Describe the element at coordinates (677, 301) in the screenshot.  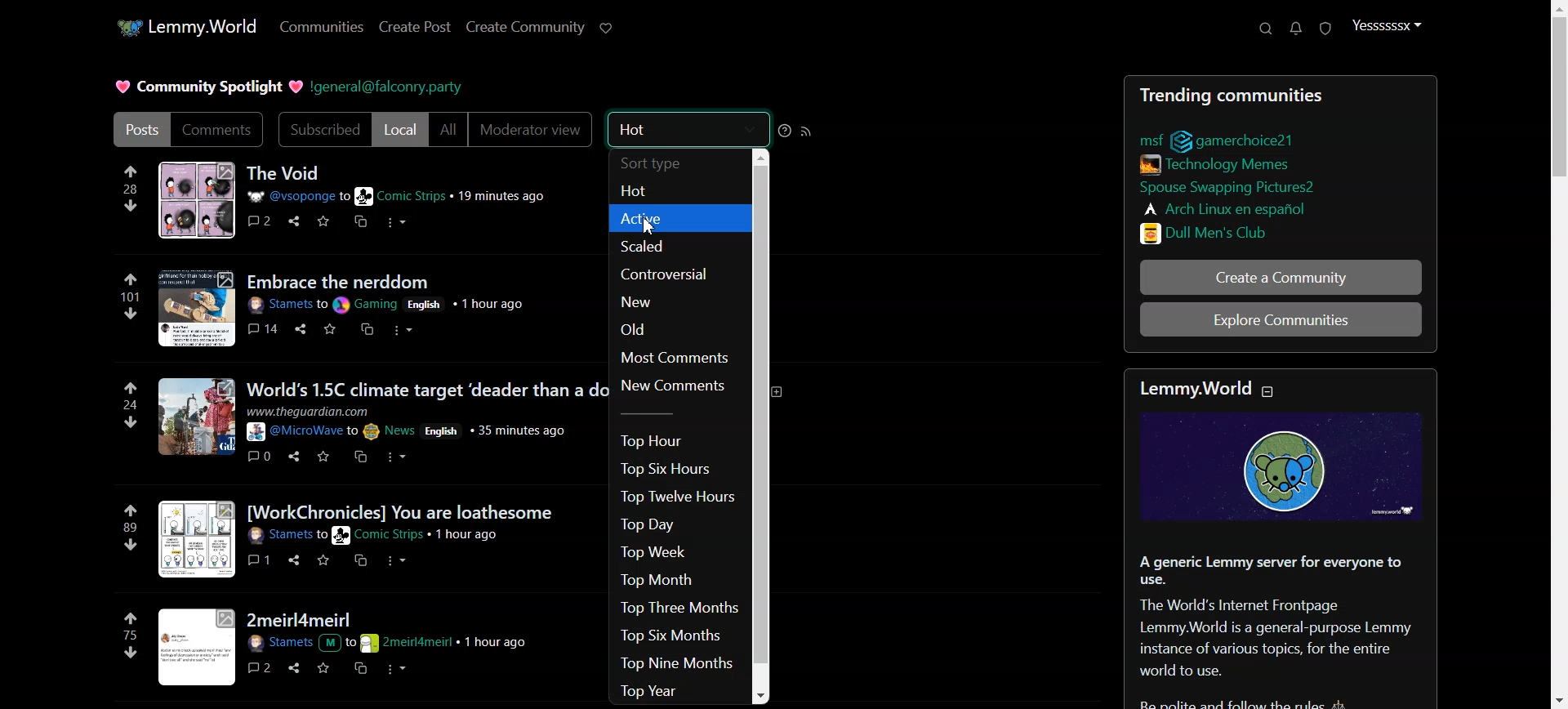
I see `New` at that location.